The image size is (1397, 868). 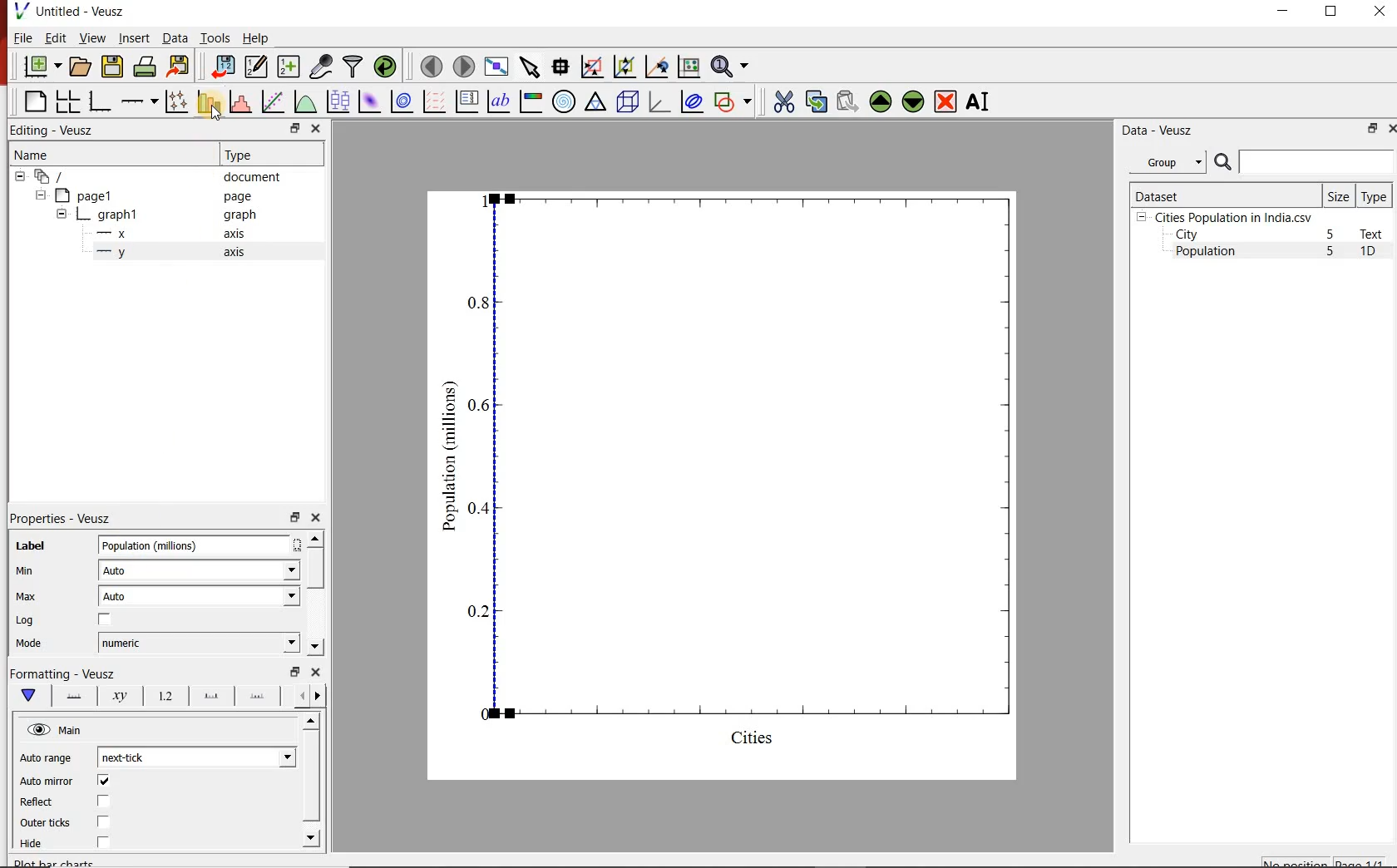 I want to click on check/uncheck, so click(x=105, y=619).